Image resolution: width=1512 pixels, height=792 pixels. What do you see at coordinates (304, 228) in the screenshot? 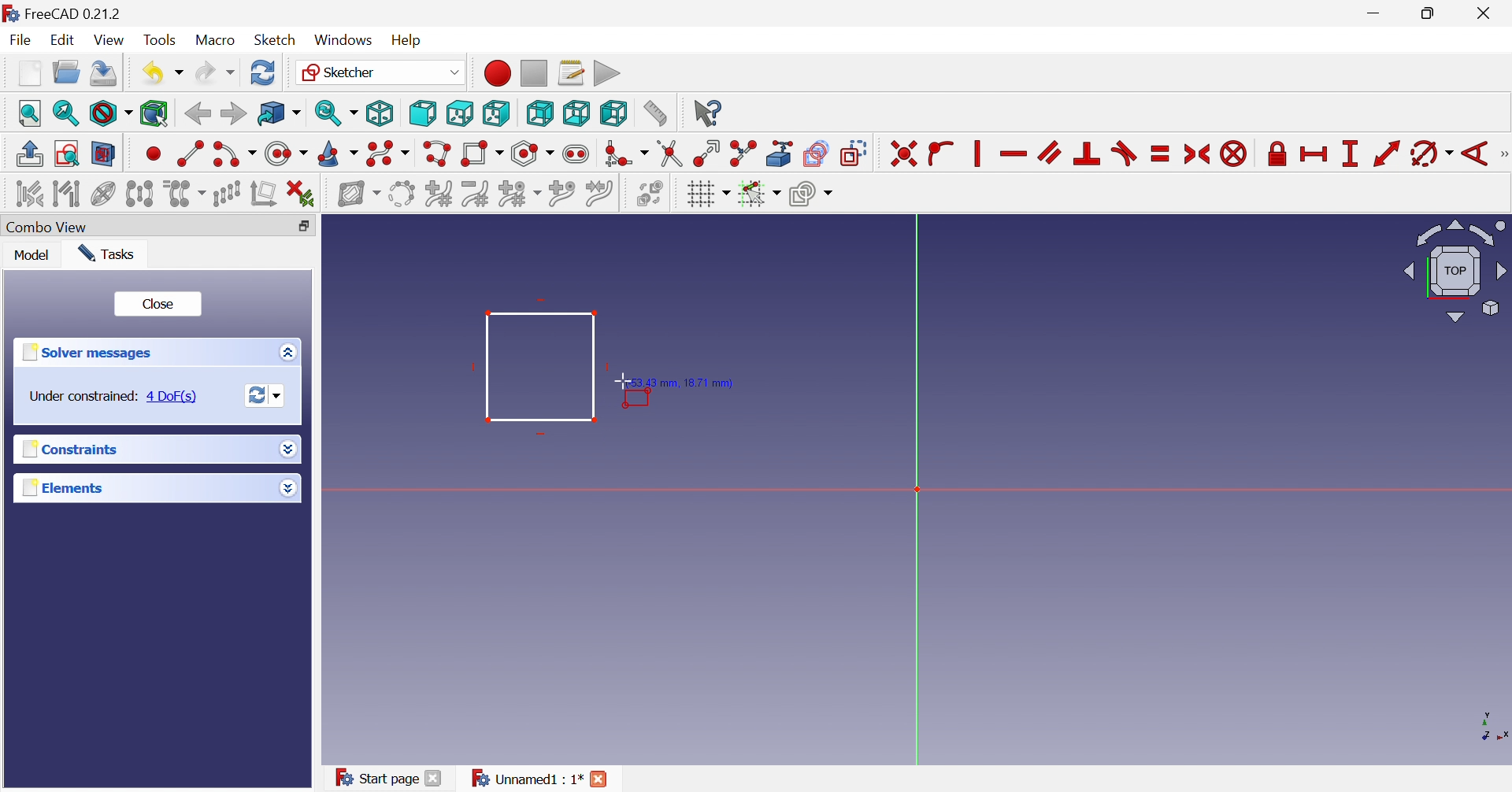
I see `Restore down` at bounding box center [304, 228].